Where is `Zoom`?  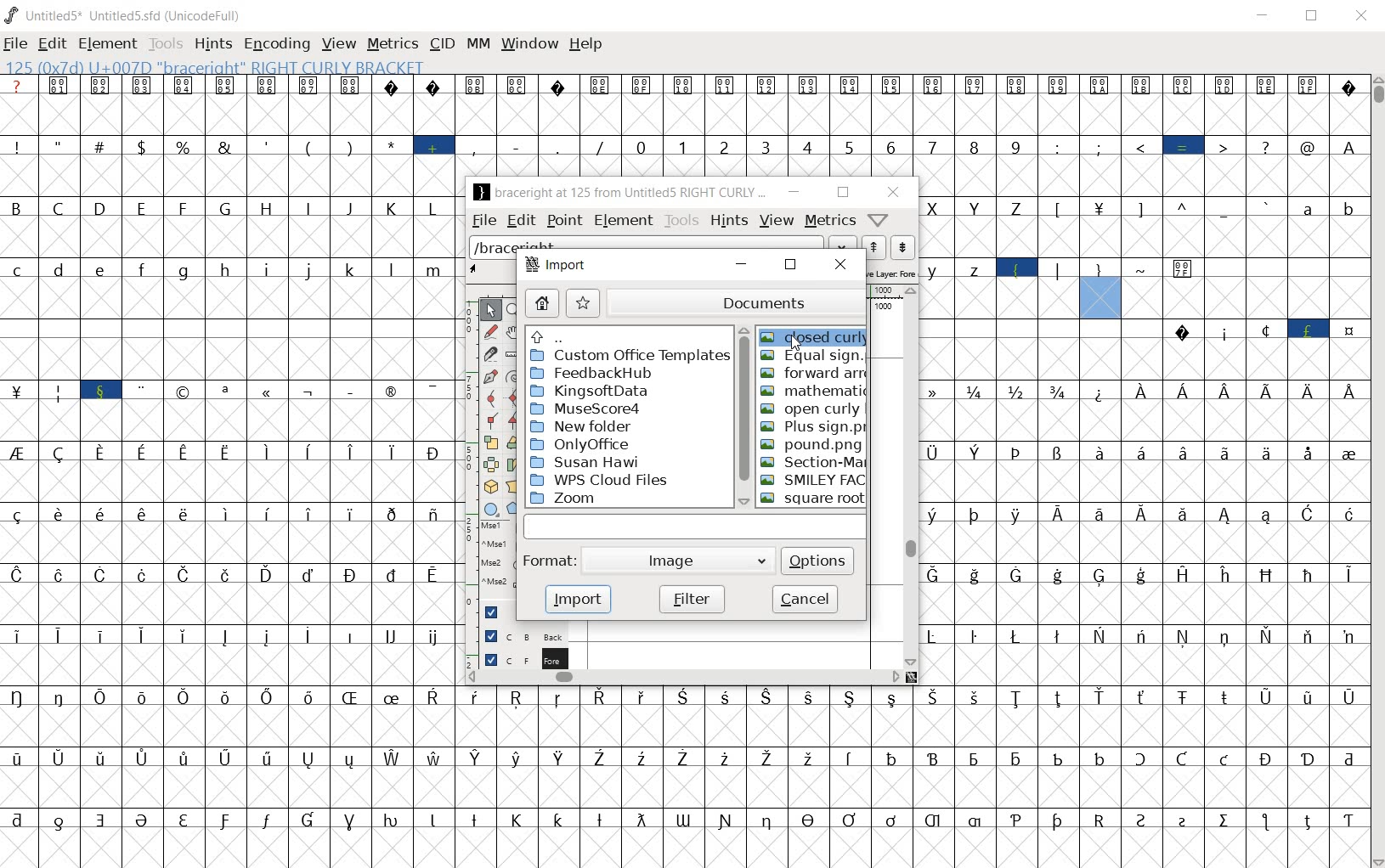 Zoom is located at coordinates (573, 499).